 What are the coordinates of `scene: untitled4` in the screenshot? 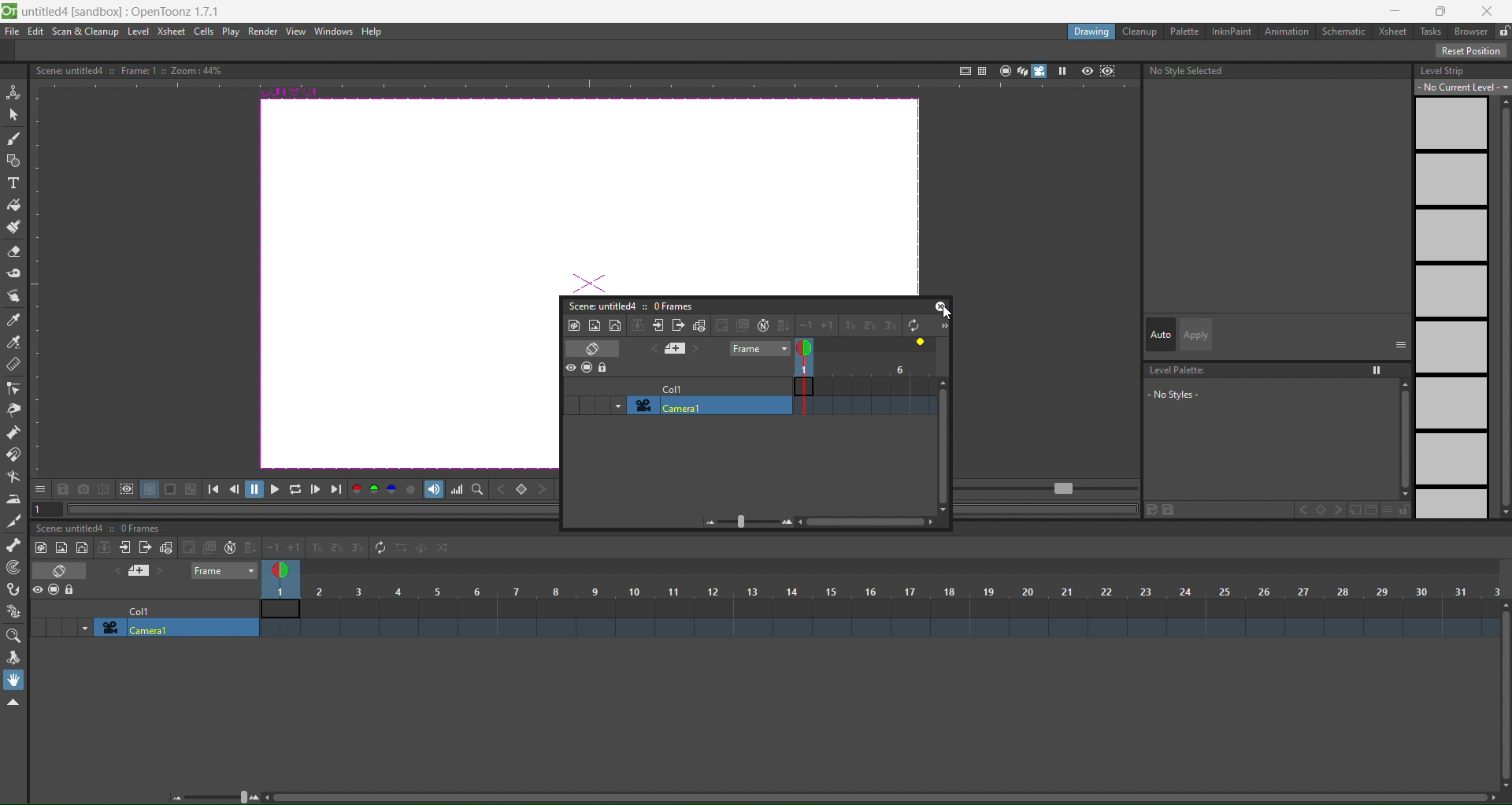 It's located at (74, 528).